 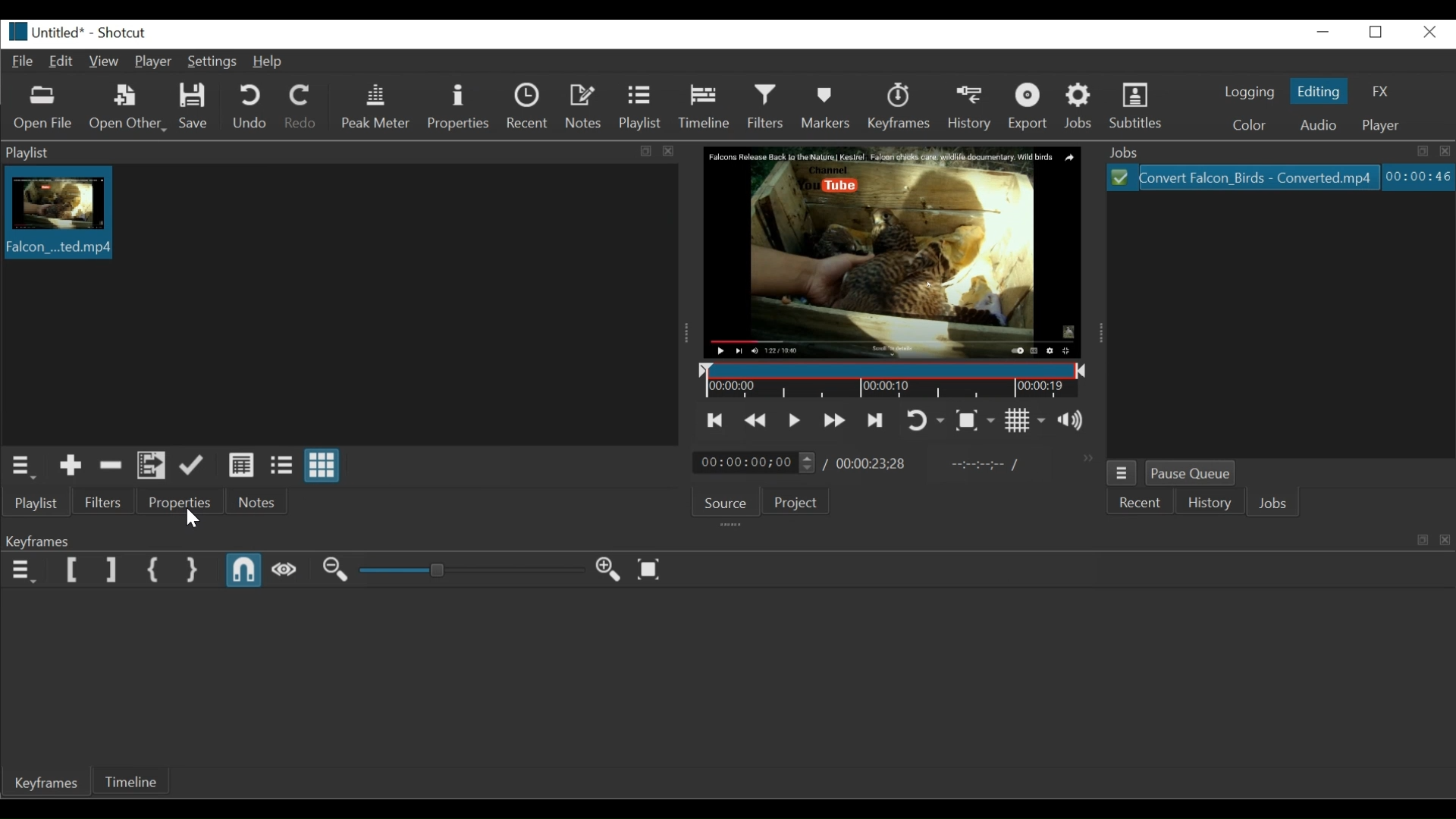 What do you see at coordinates (1209, 504) in the screenshot?
I see `History` at bounding box center [1209, 504].